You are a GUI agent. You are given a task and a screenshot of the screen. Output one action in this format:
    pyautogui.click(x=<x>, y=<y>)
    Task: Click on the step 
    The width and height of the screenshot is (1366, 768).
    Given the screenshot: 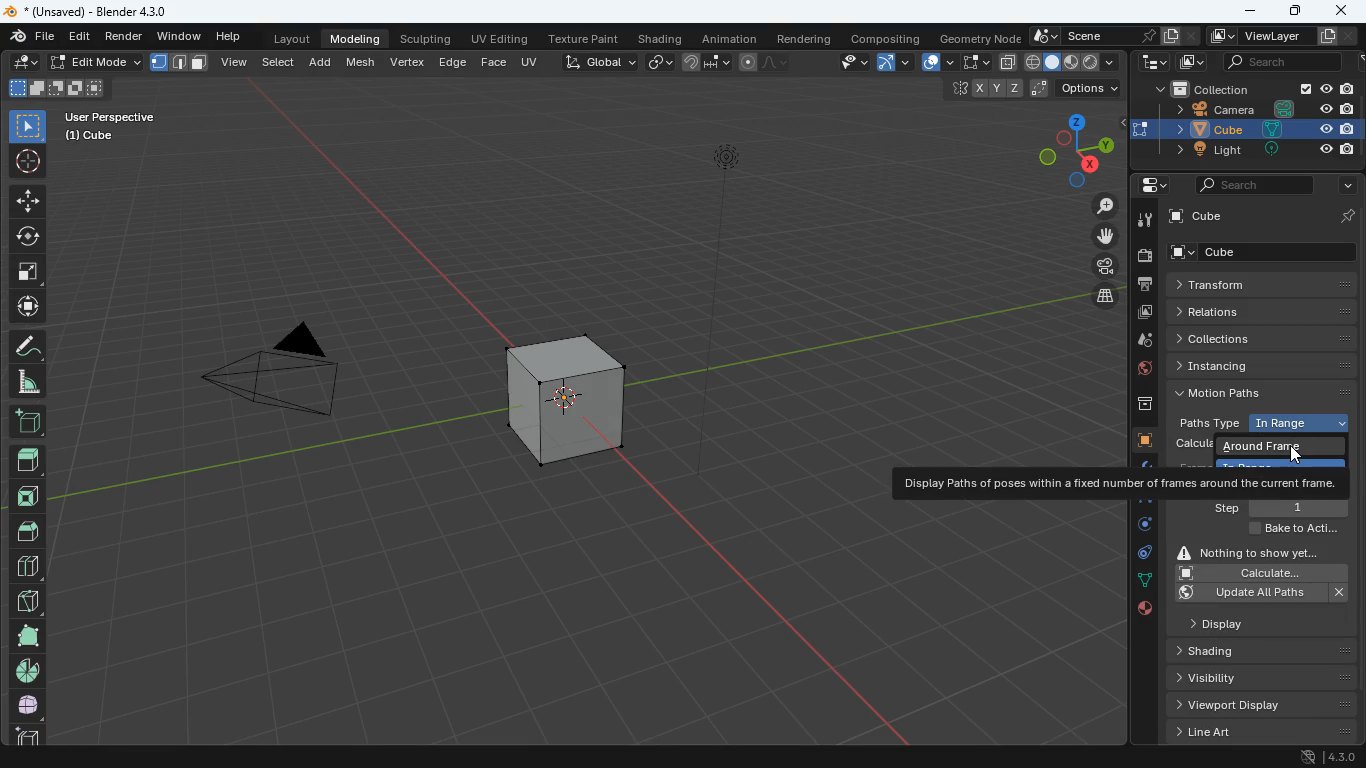 What is the action you would take?
    pyautogui.click(x=1279, y=507)
    